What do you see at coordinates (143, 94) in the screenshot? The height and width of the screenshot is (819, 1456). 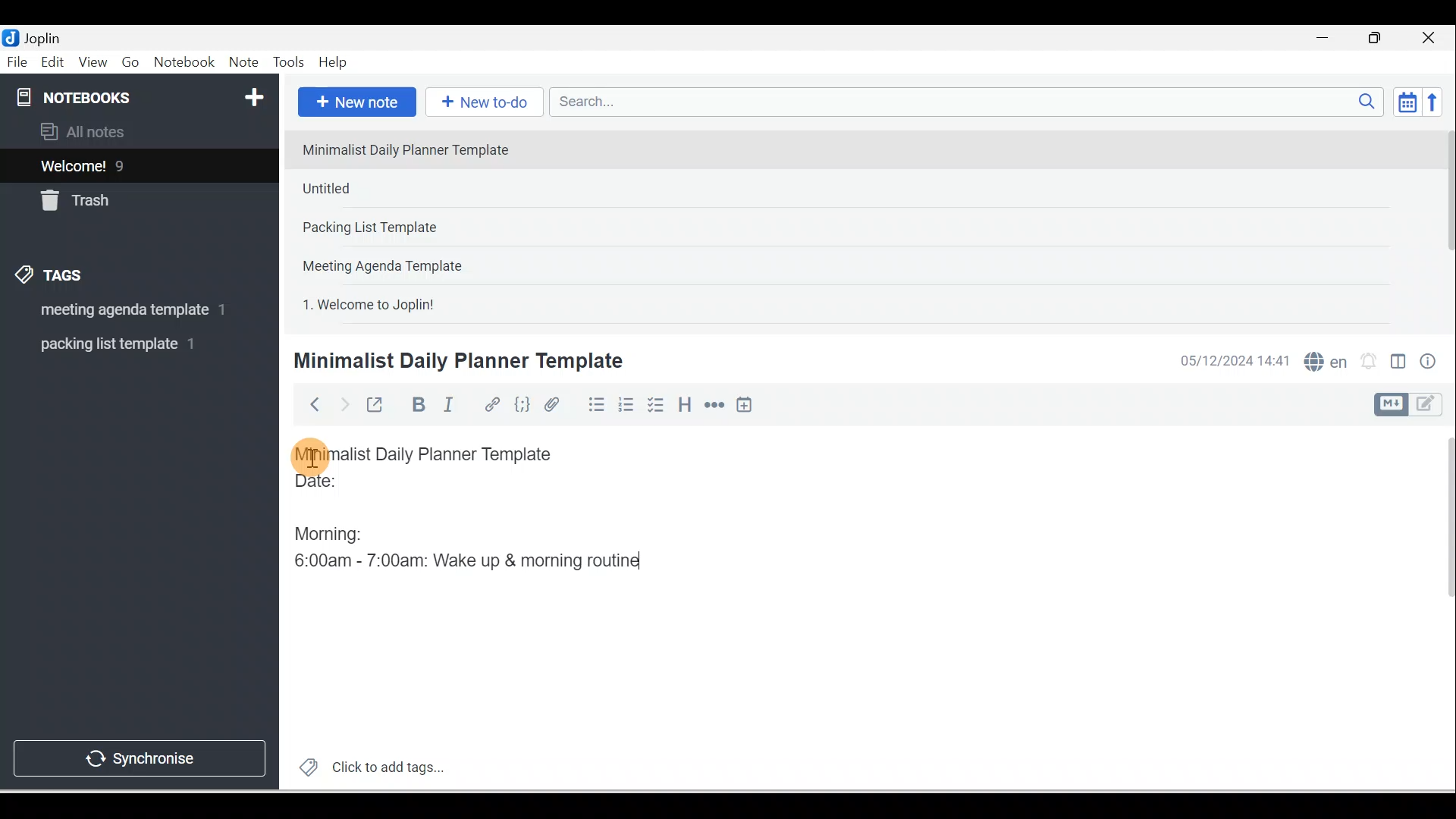 I see `Notebooks` at bounding box center [143, 94].